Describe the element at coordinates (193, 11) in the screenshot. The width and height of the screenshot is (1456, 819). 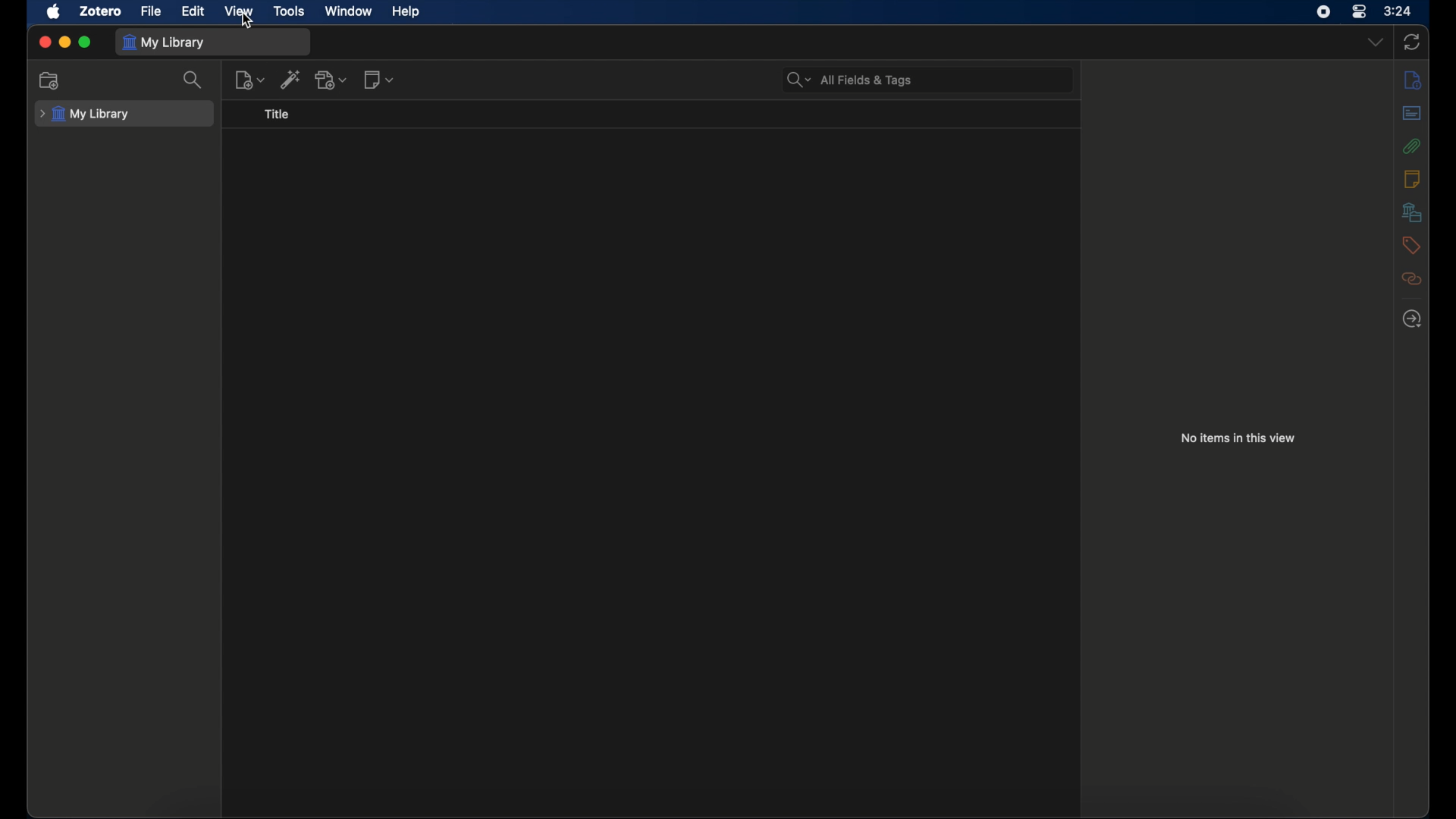
I see `edit` at that location.